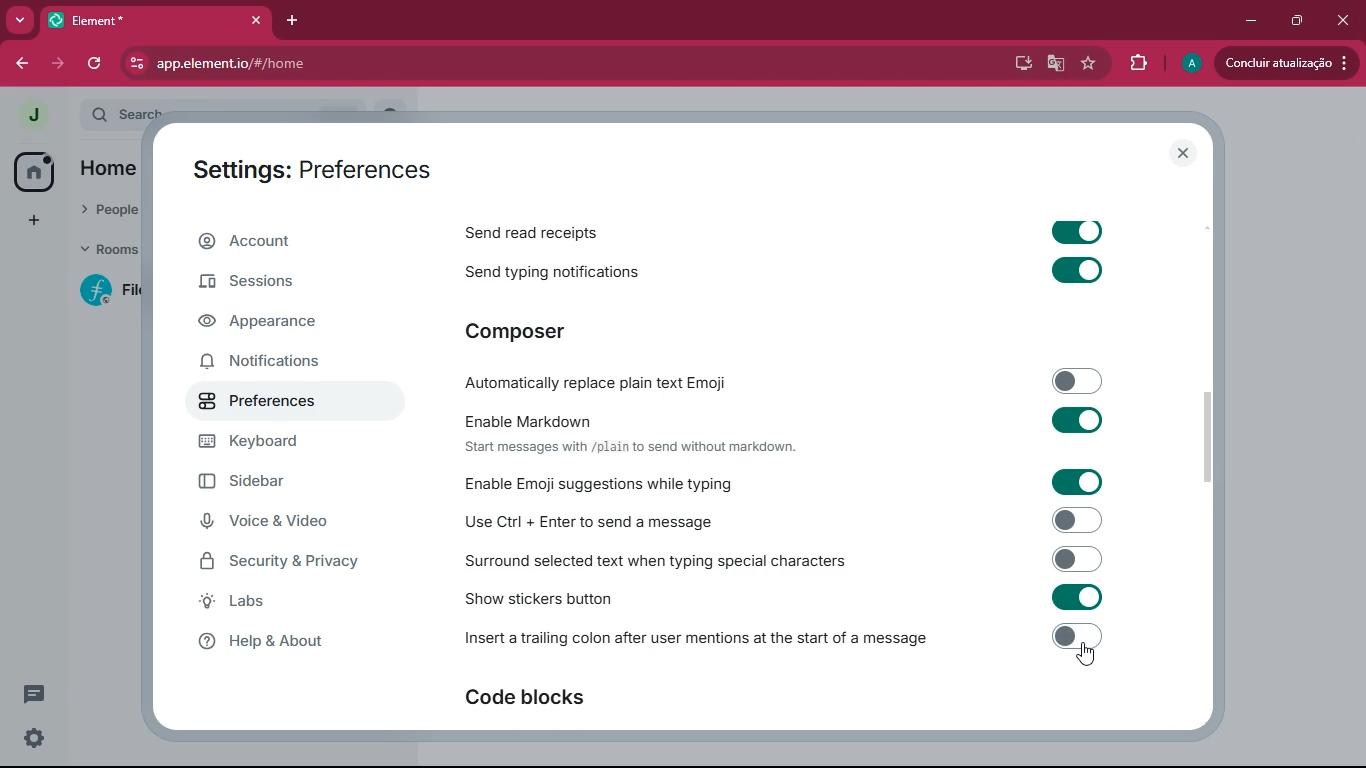 This screenshot has height=768, width=1366. What do you see at coordinates (1345, 21) in the screenshot?
I see `close` at bounding box center [1345, 21].